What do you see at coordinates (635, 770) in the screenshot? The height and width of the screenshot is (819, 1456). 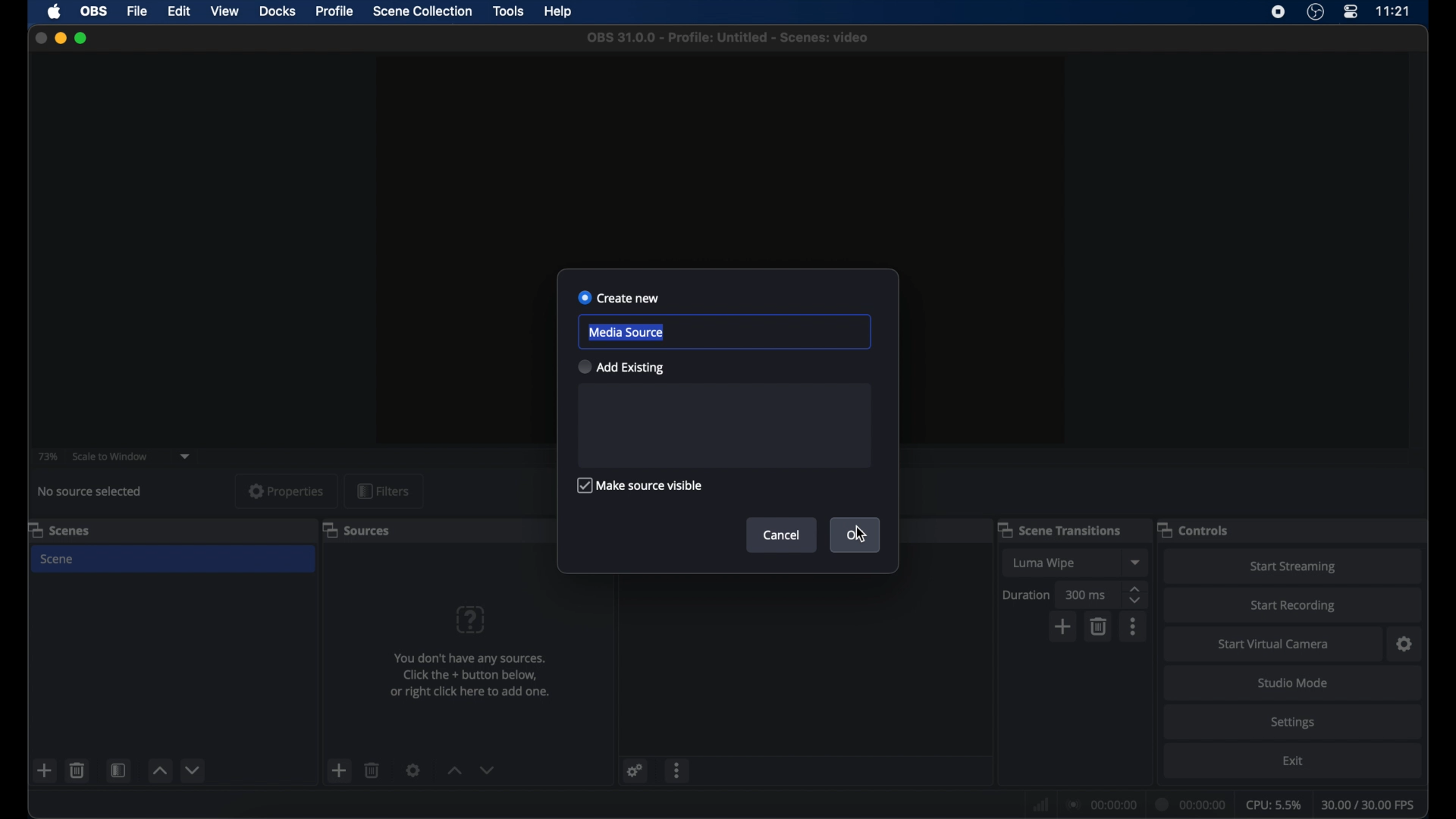 I see `settings` at bounding box center [635, 770].